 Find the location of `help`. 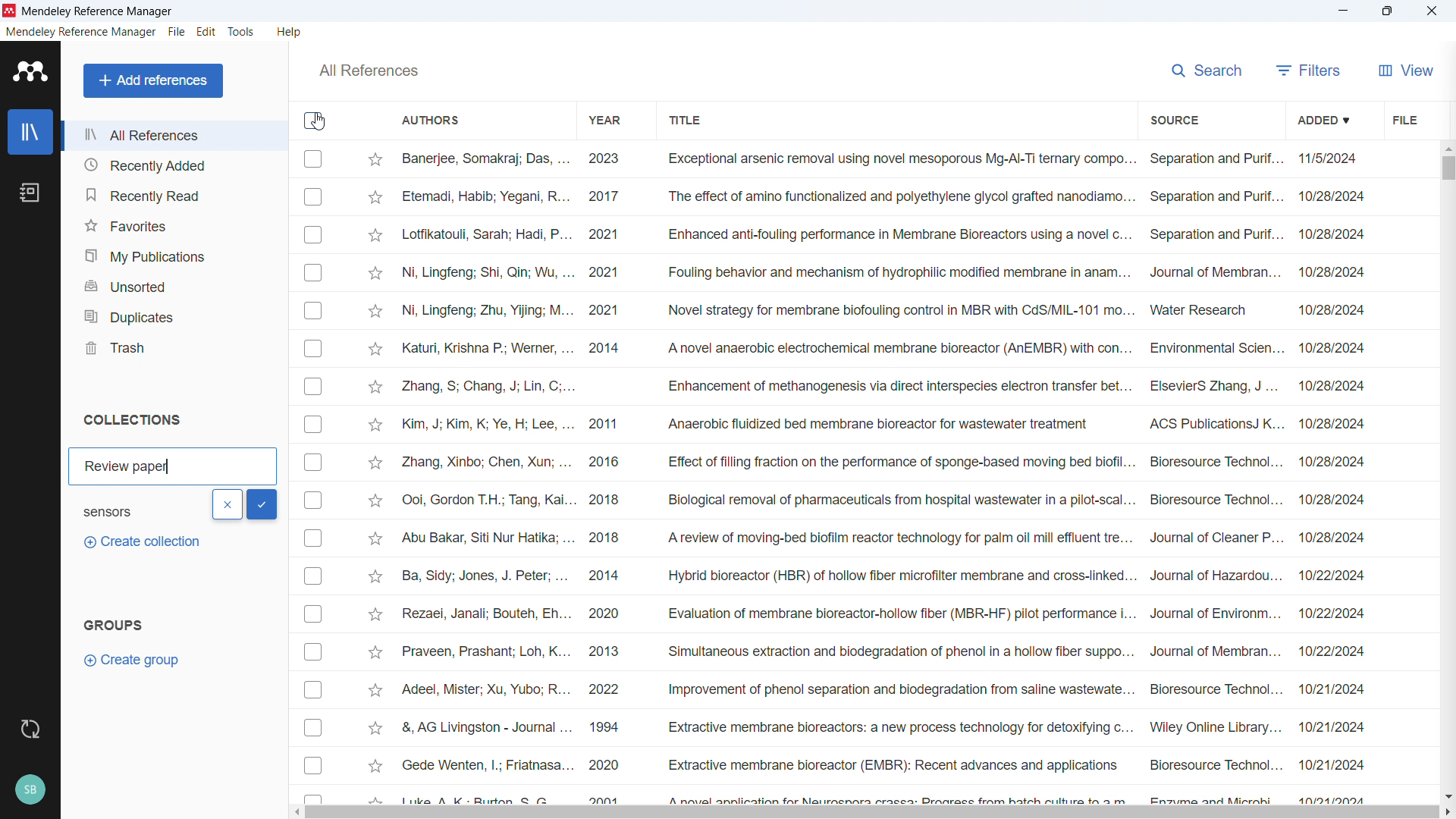

help is located at coordinates (291, 31).